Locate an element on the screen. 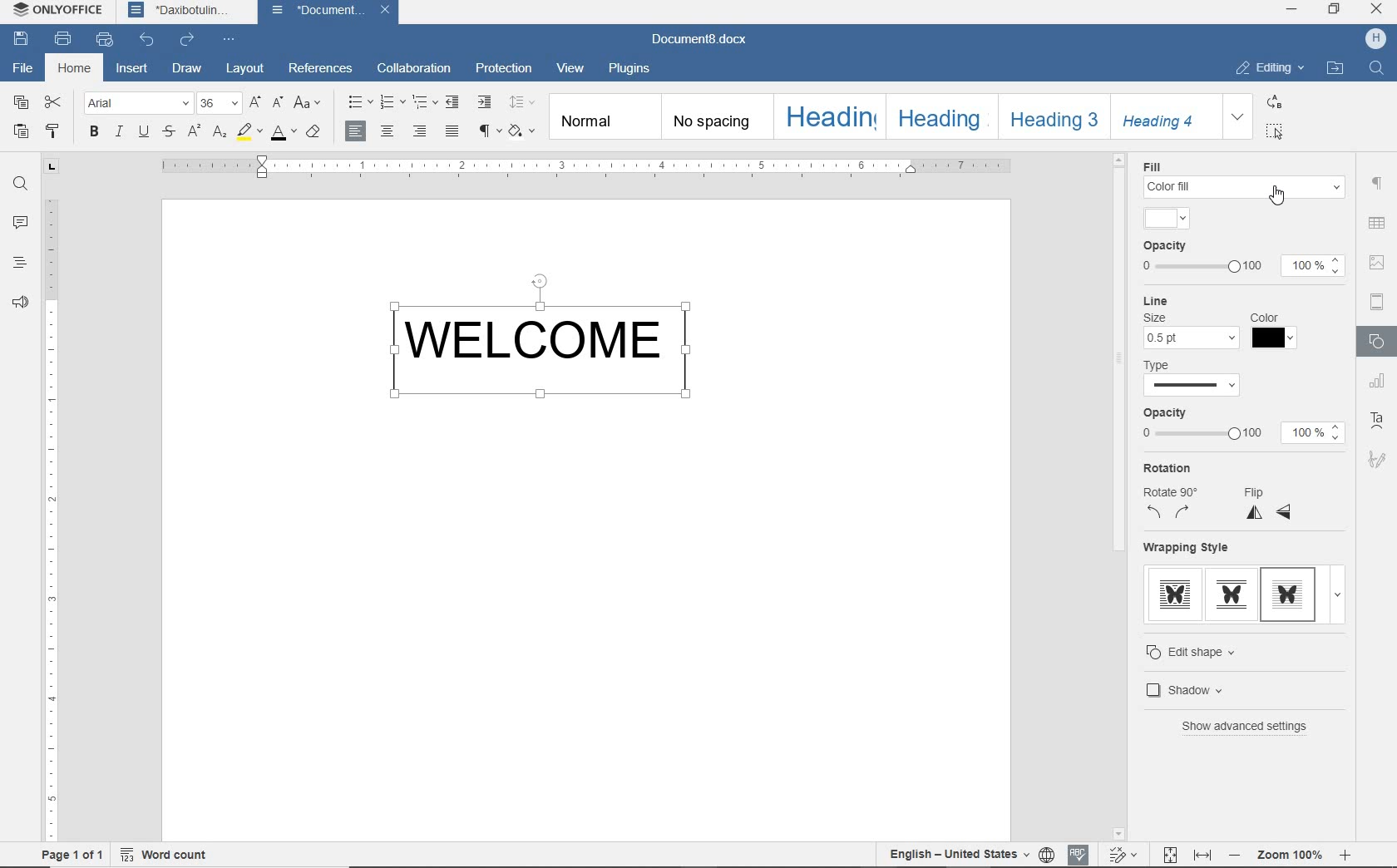 The height and width of the screenshot is (868, 1397). COPY is located at coordinates (21, 102).